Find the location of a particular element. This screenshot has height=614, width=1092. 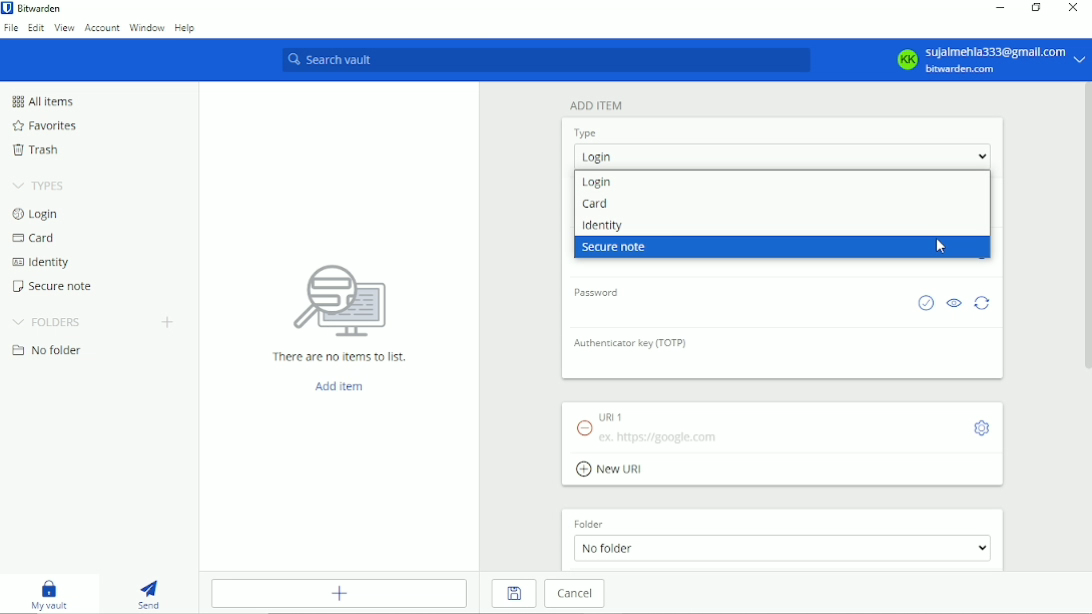

My vault is located at coordinates (49, 593).